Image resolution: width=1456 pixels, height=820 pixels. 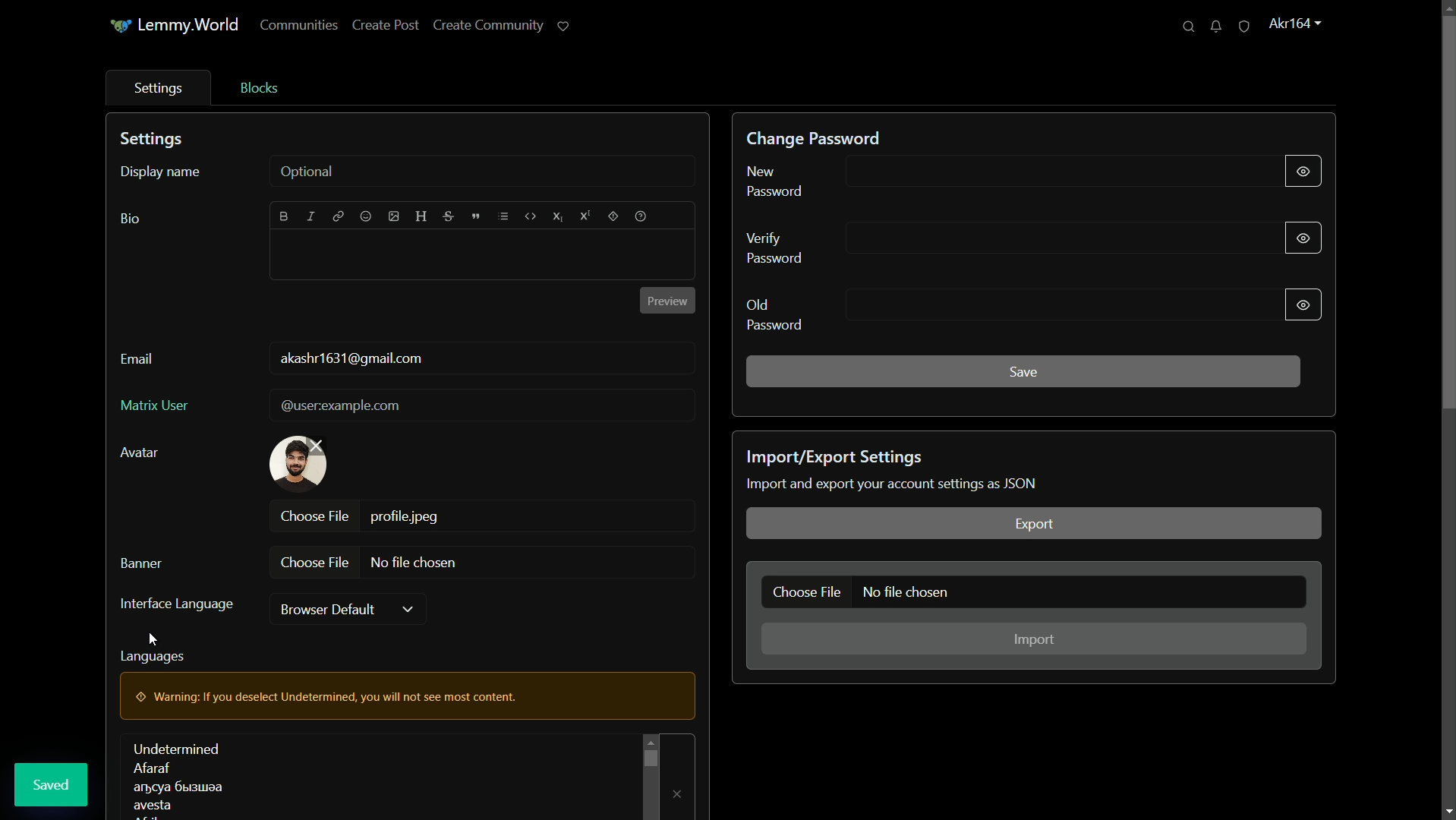 What do you see at coordinates (1302, 168) in the screenshot?
I see `show` at bounding box center [1302, 168].